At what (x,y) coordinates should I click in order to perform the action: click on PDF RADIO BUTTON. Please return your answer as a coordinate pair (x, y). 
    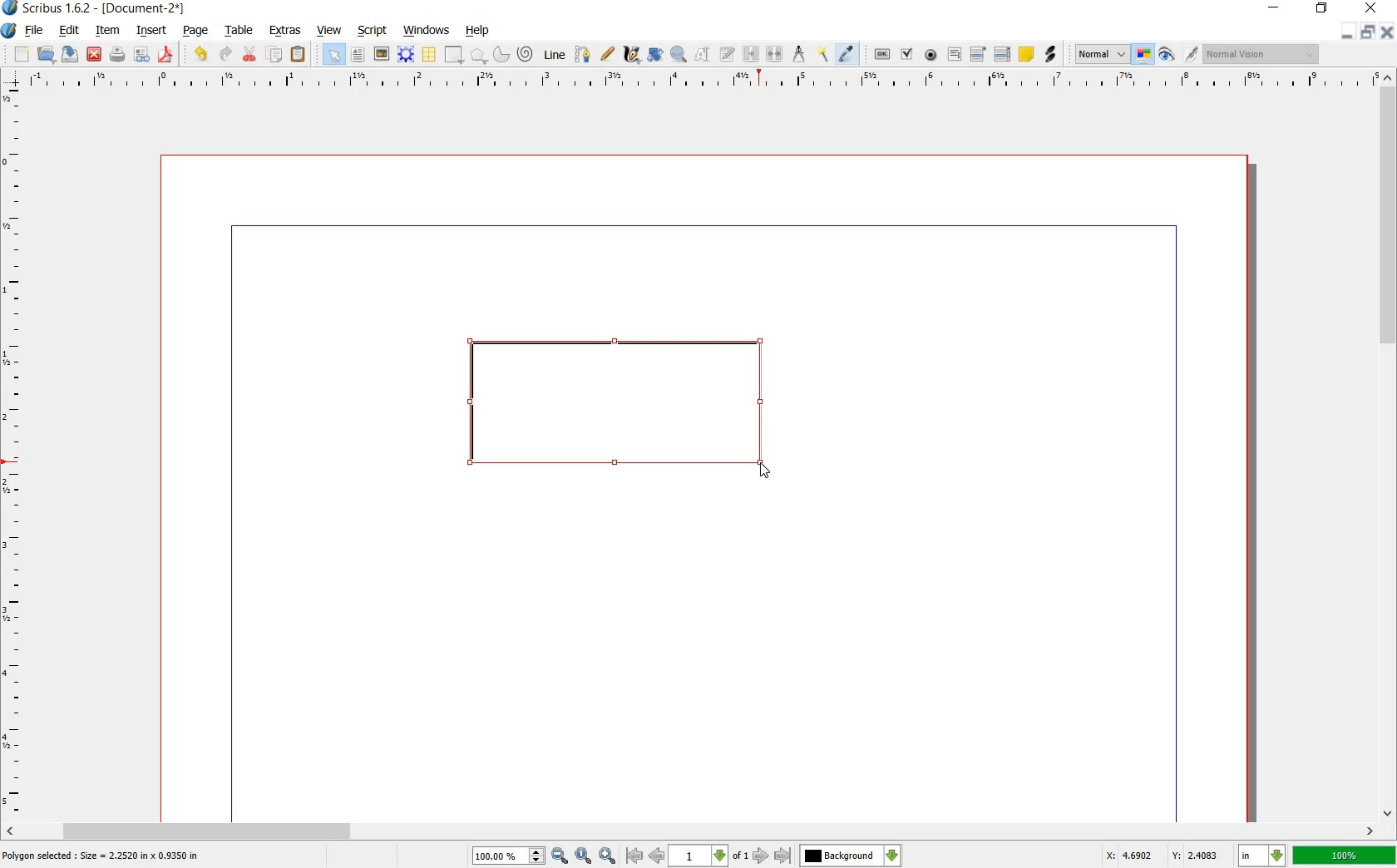
    Looking at the image, I should click on (931, 55).